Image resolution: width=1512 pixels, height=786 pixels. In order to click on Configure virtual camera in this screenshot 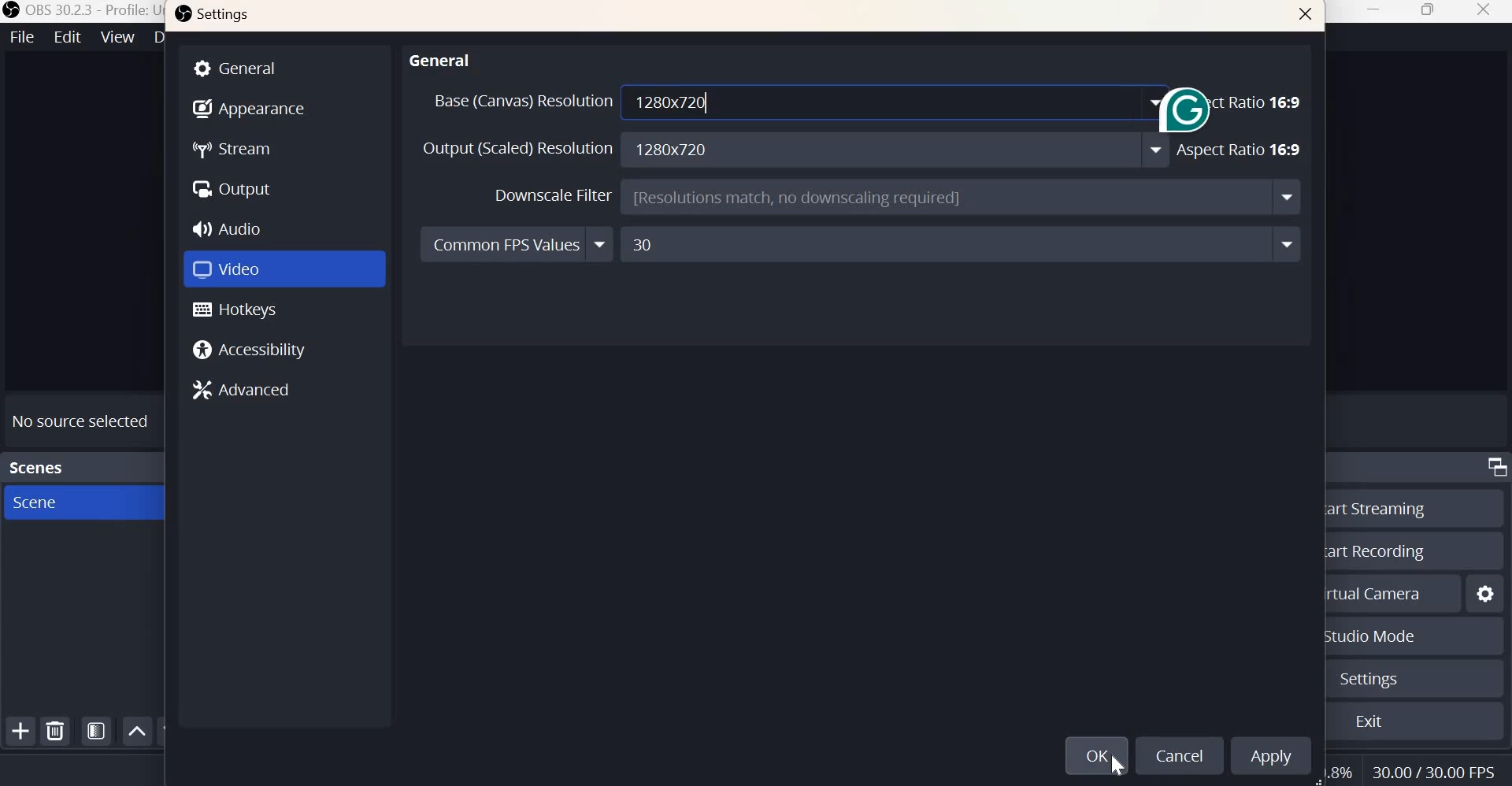, I will do `click(1486, 591)`.